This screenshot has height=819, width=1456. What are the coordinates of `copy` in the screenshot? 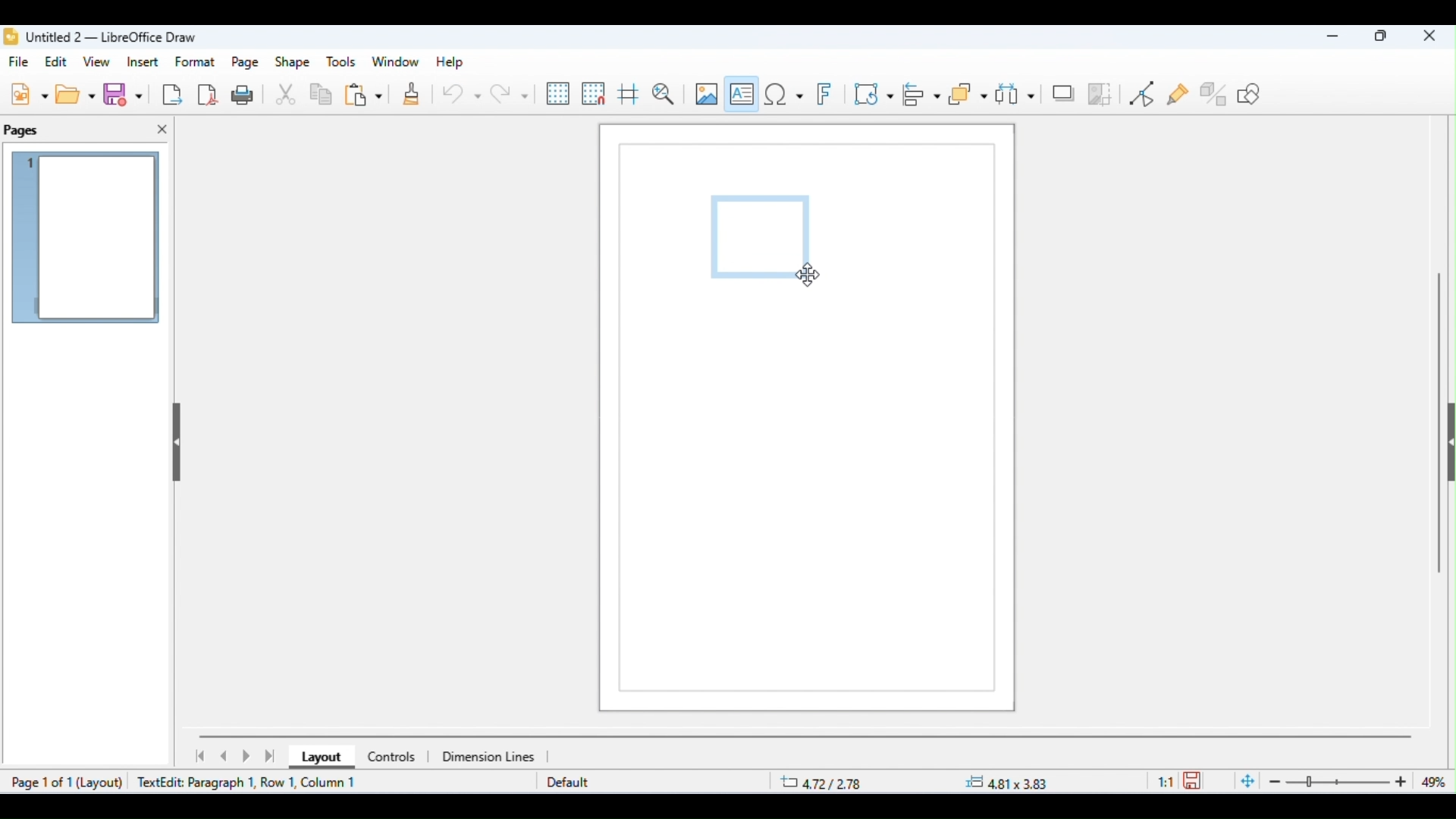 It's located at (322, 96).